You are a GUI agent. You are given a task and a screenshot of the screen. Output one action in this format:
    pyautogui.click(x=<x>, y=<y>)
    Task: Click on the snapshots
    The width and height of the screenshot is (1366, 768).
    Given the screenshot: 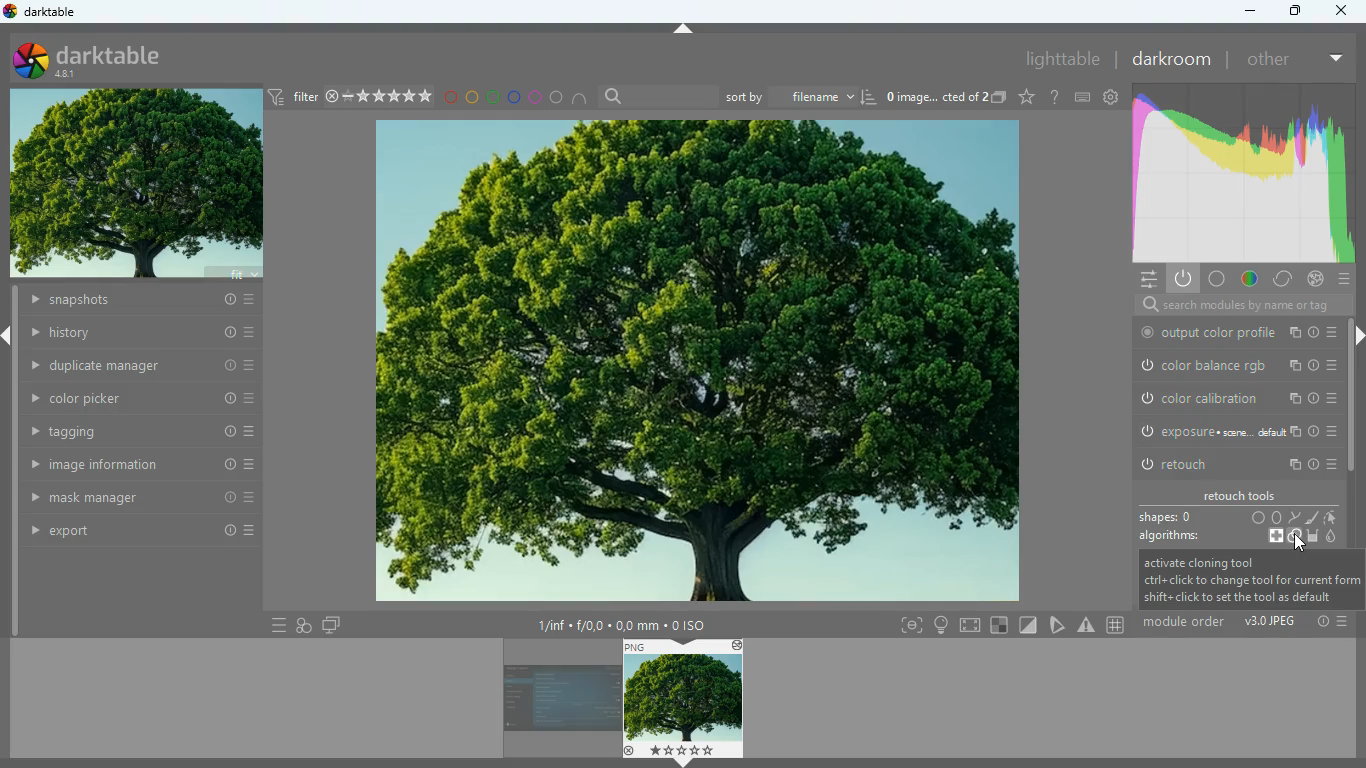 What is the action you would take?
    pyautogui.click(x=146, y=302)
    